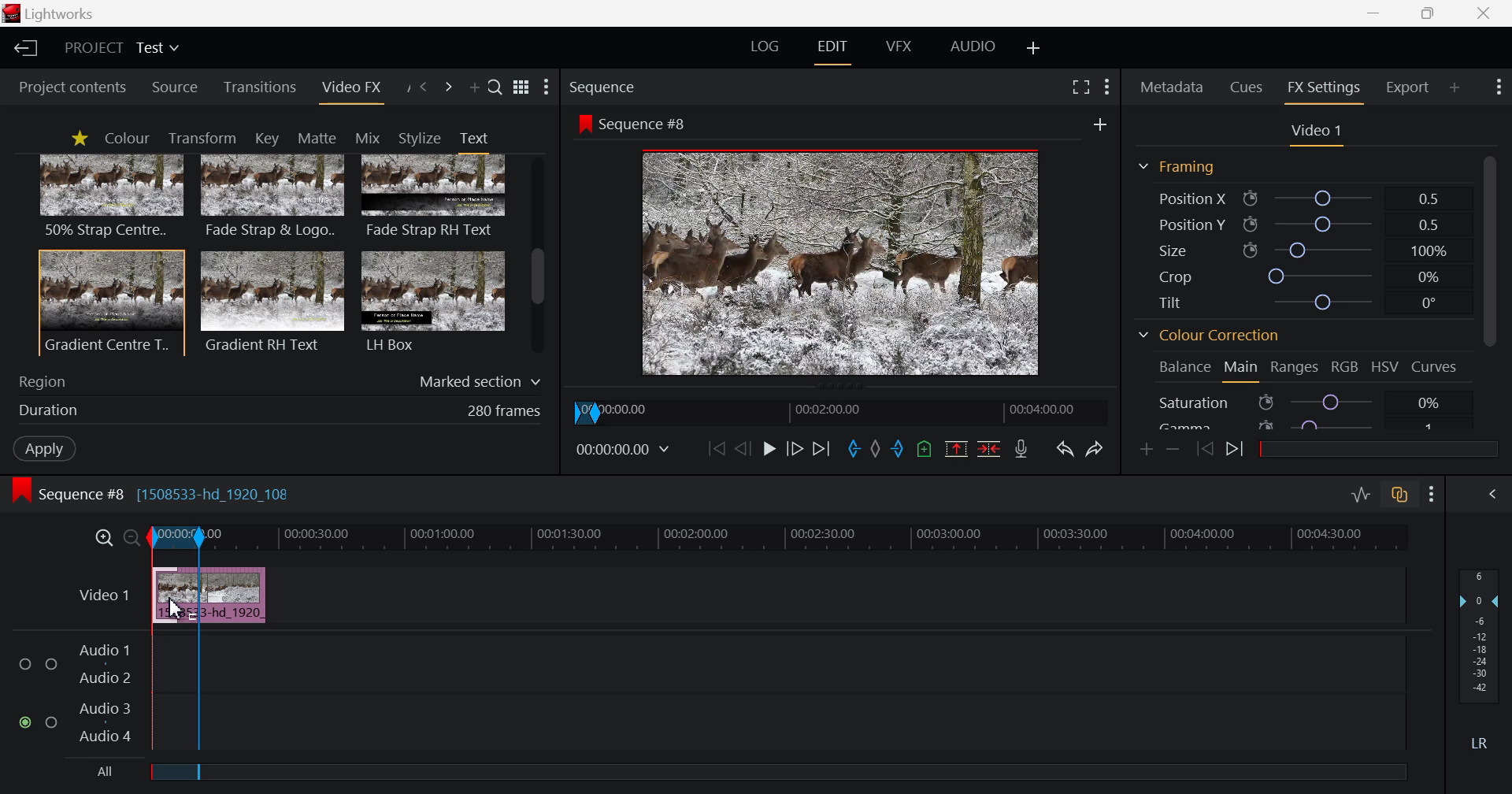 The height and width of the screenshot is (794, 1512). Describe the element at coordinates (473, 138) in the screenshot. I see `Text` at that location.